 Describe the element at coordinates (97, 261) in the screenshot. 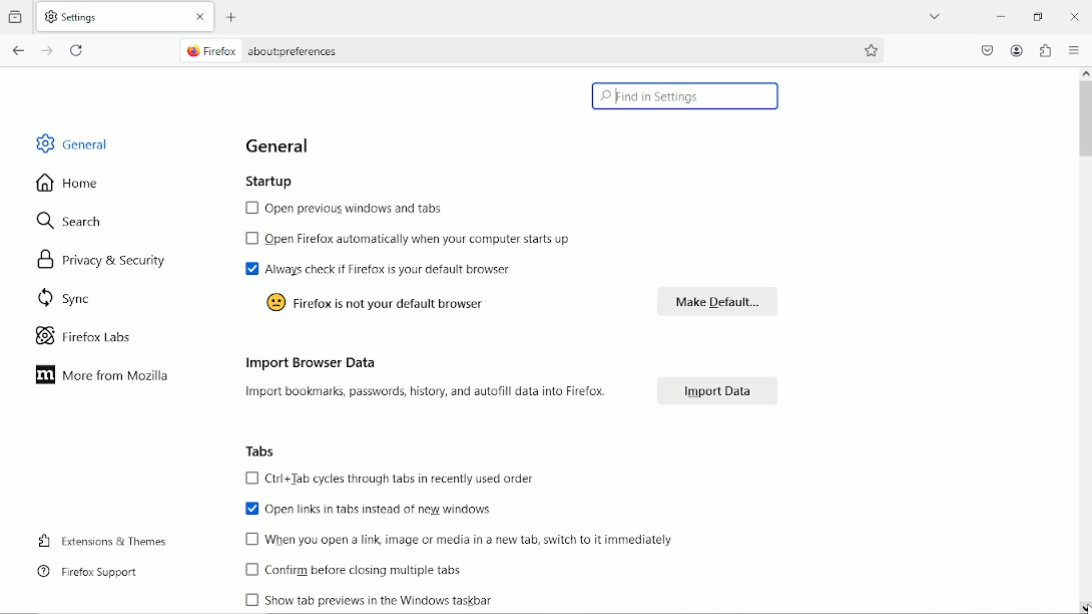

I see `privacy & security` at that location.